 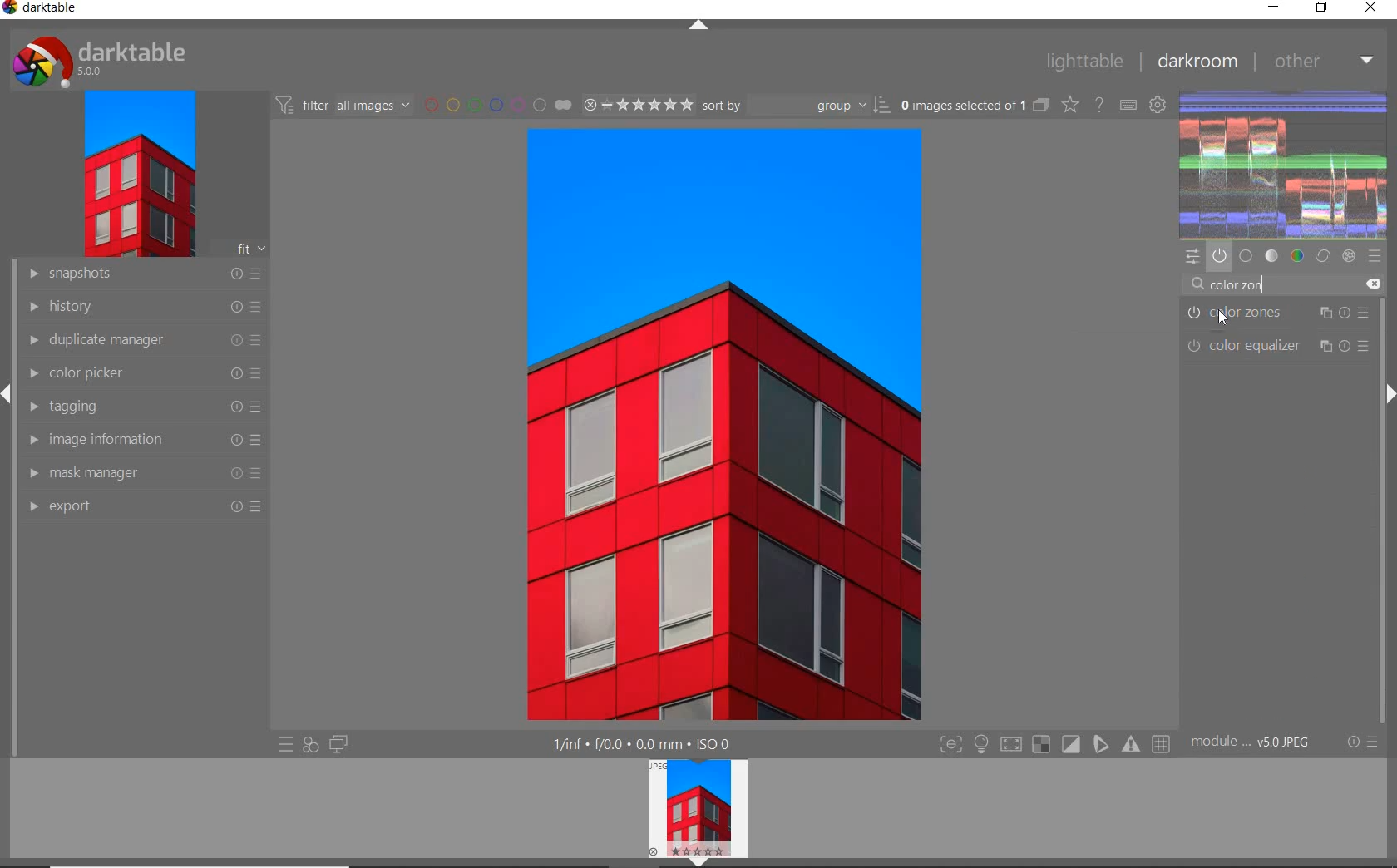 I want to click on Sort, so click(x=797, y=106).